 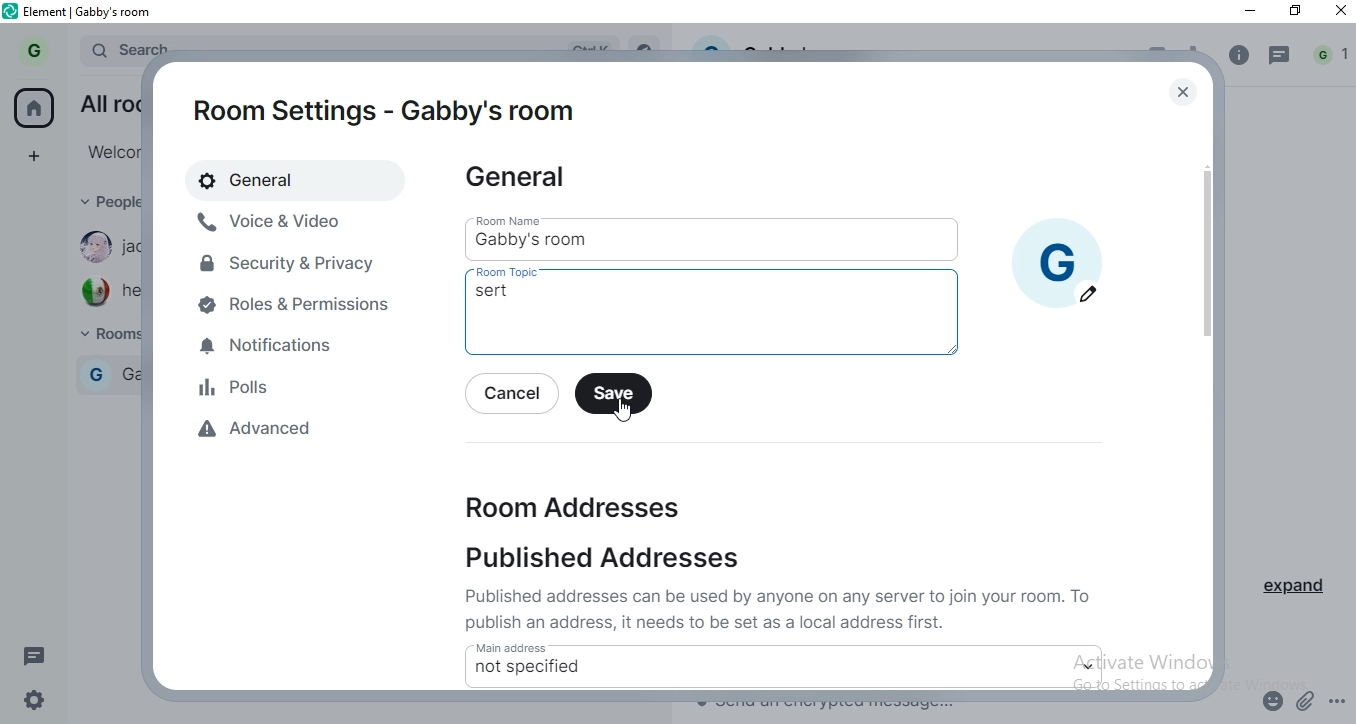 What do you see at coordinates (560, 503) in the screenshot?
I see `room addresses` at bounding box center [560, 503].